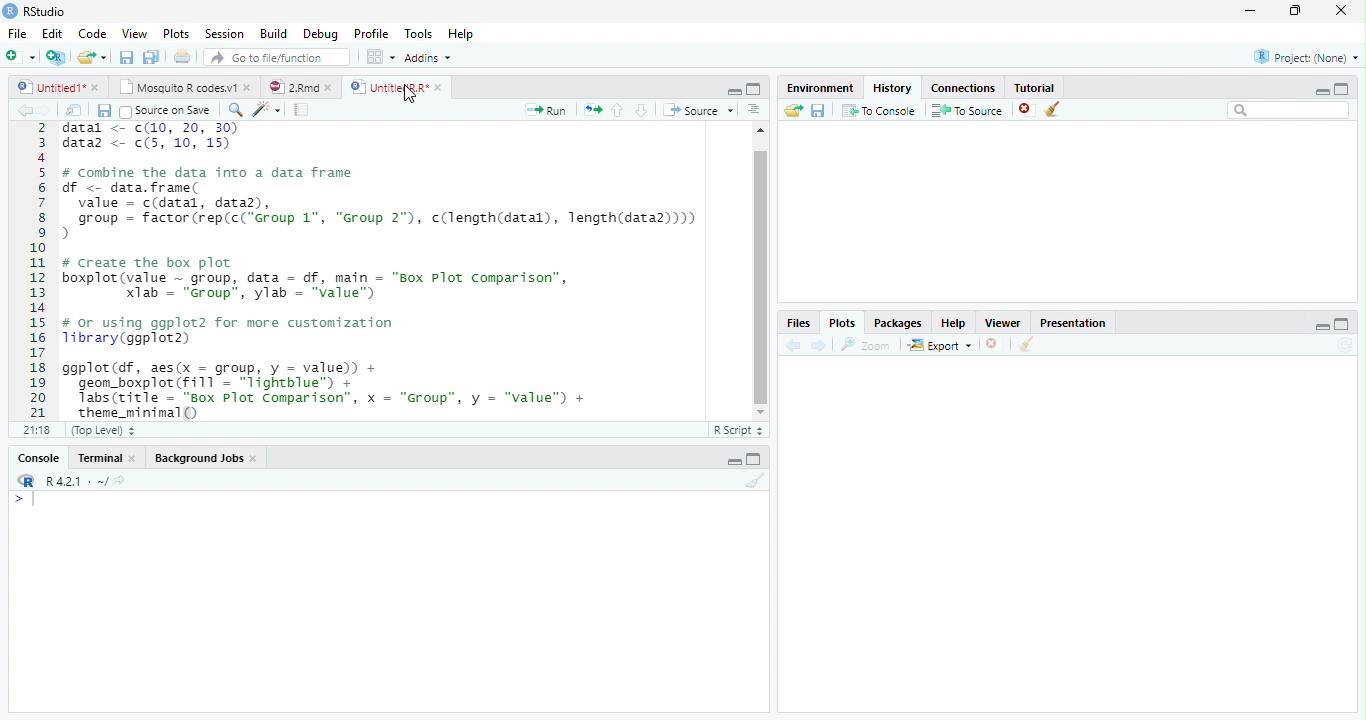 The height and width of the screenshot is (720, 1366). Describe the element at coordinates (132, 457) in the screenshot. I see `close` at that location.